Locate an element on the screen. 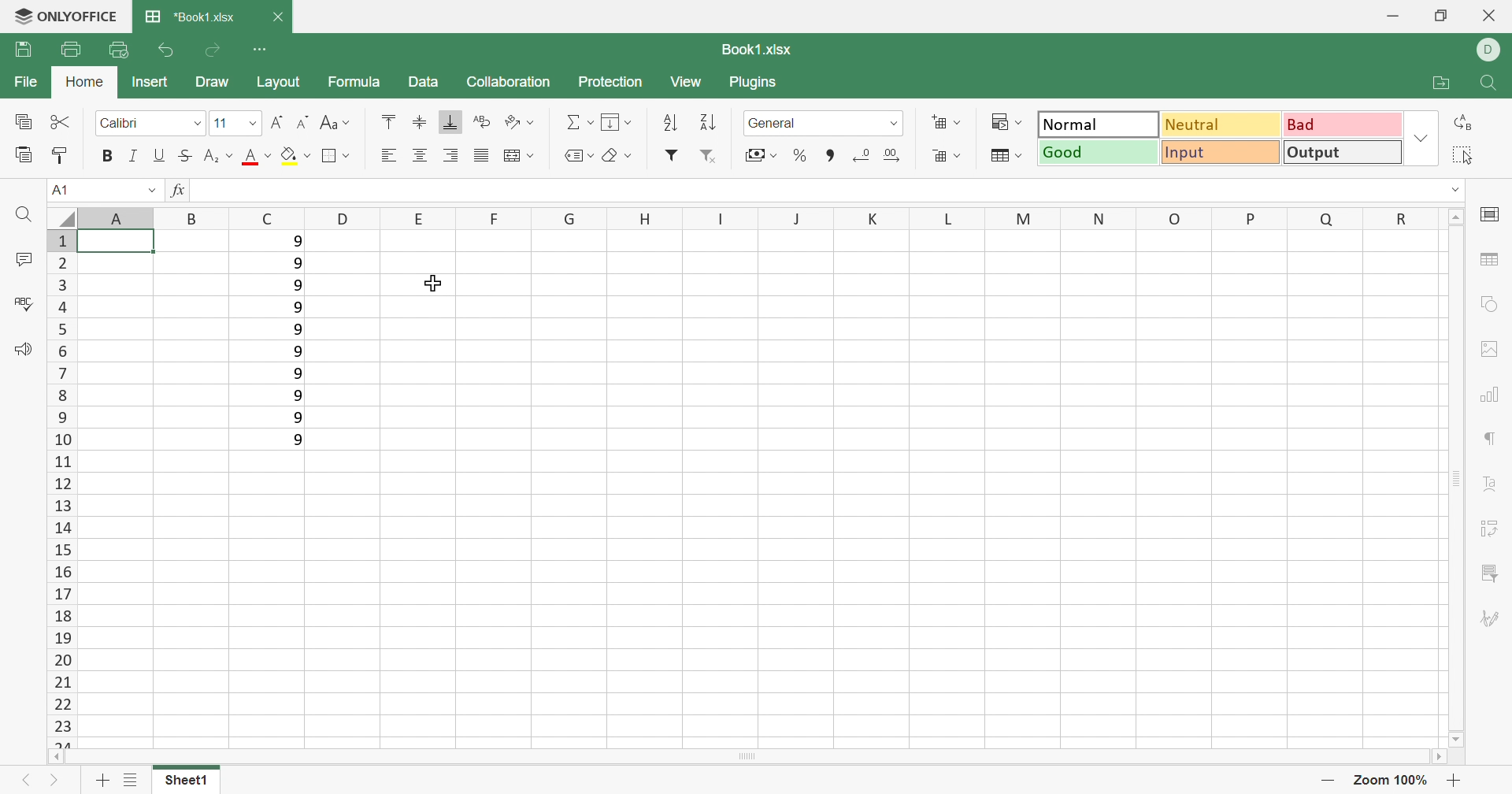 The height and width of the screenshot is (794, 1512). Percent style is located at coordinates (801, 155).